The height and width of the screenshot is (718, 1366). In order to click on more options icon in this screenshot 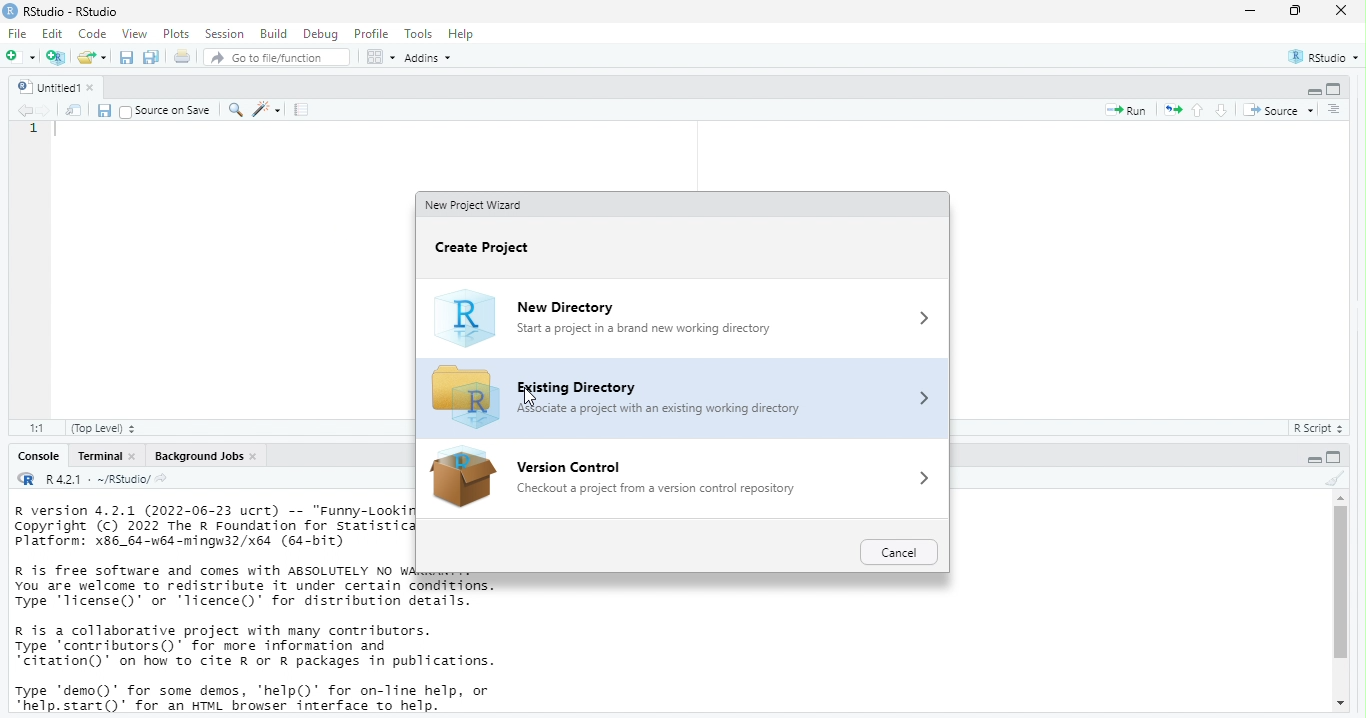, I will do `click(916, 320)`.